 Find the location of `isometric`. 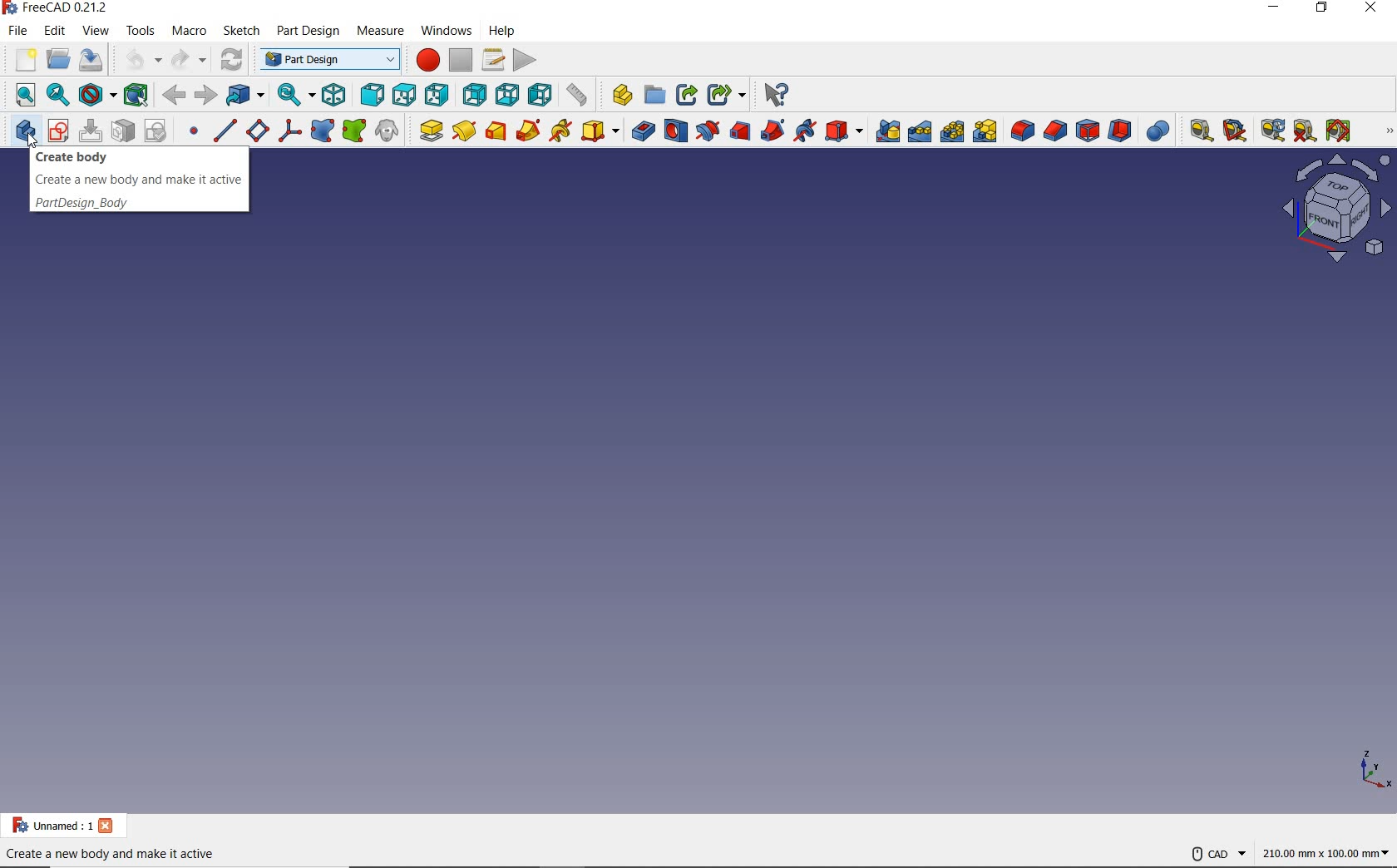

isometric is located at coordinates (335, 96).